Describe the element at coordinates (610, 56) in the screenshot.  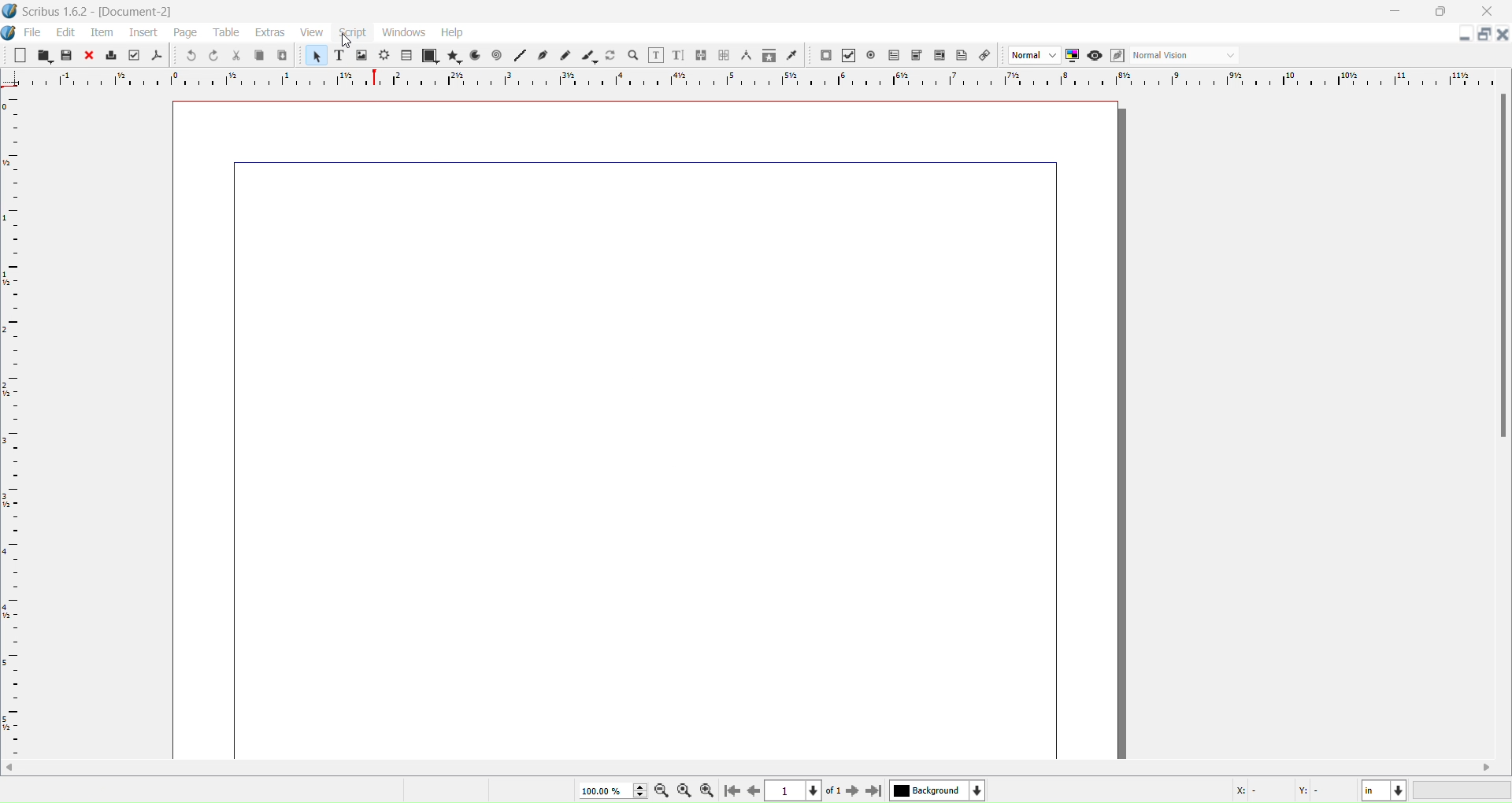
I see `Rotate Item` at that location.